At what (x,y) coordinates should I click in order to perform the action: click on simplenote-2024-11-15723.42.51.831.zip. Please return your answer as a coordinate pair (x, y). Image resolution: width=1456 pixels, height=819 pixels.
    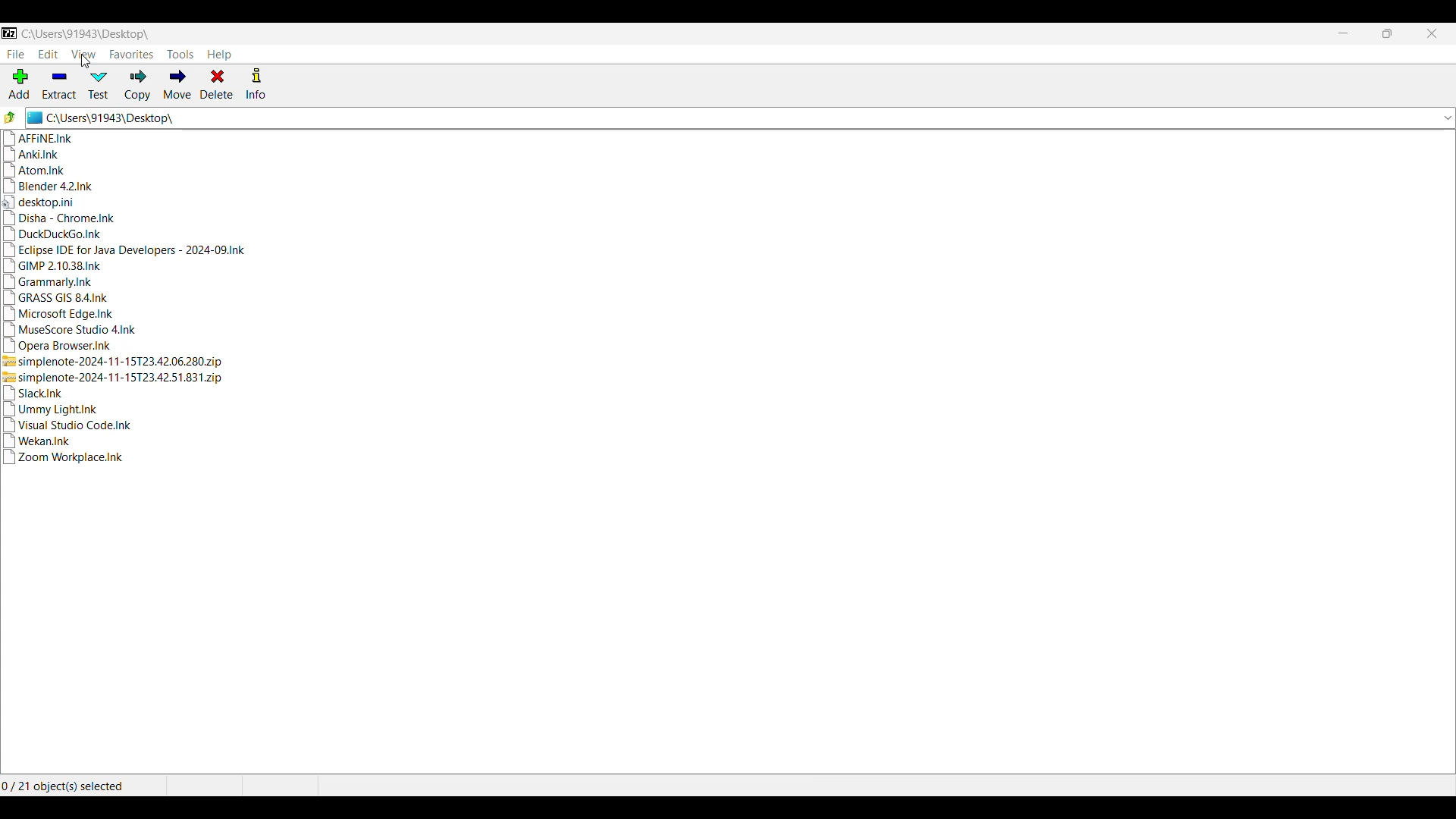
    Looking at the image, I should click on (122, 378).